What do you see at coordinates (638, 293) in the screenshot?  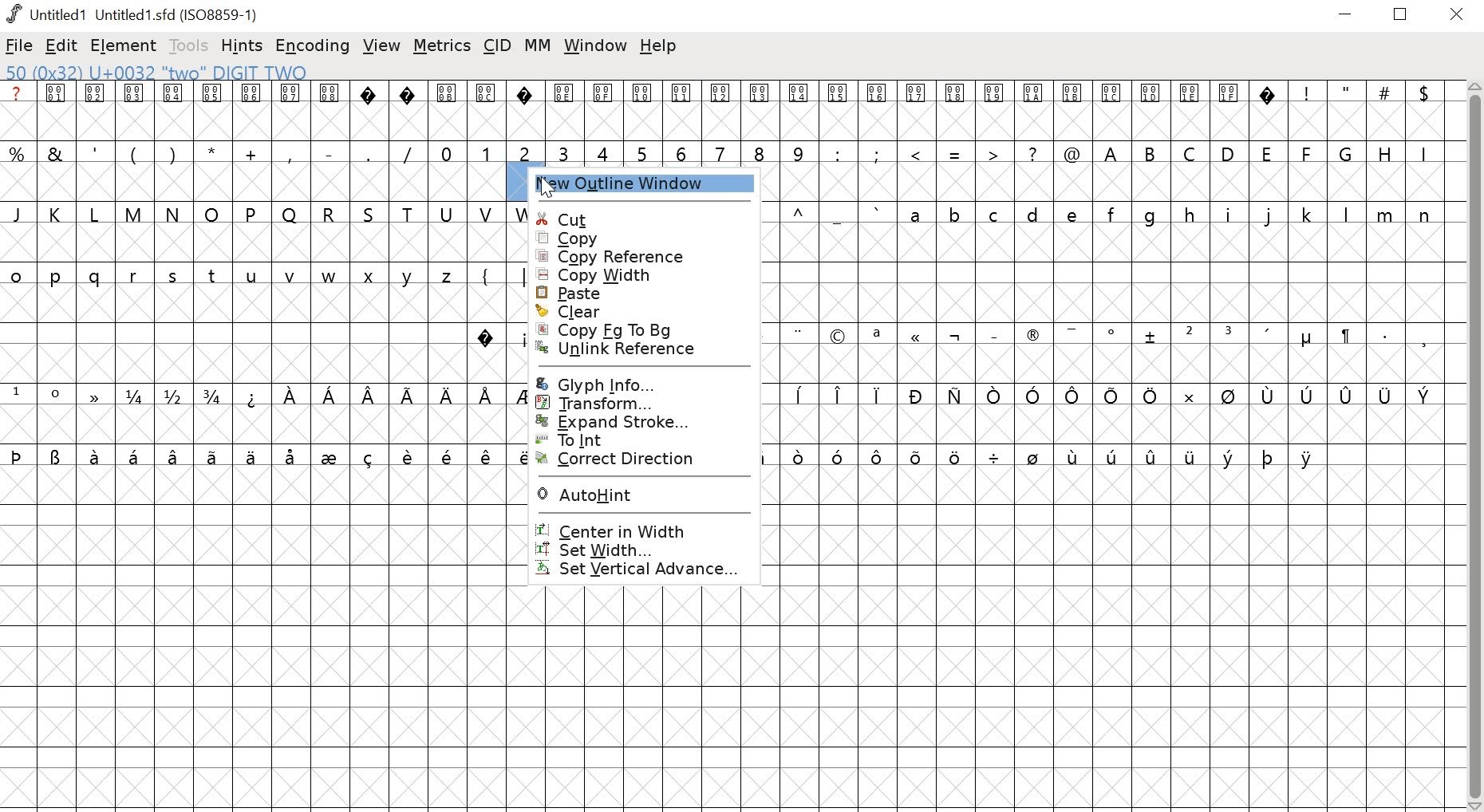 I see `paste` at bounding box center [638, 293].